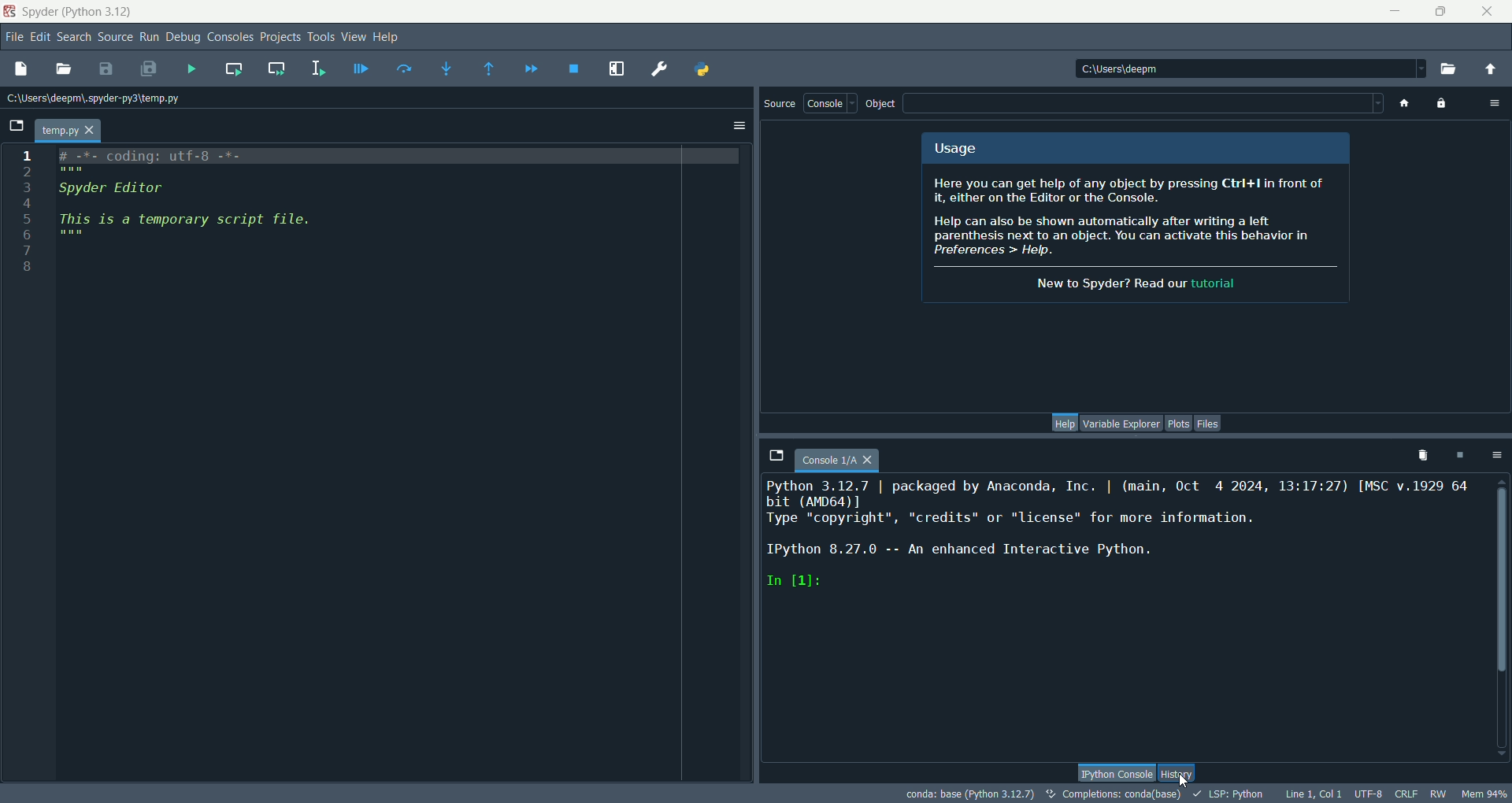 The image size is (1512, 803). I want to click on CRLF, so click(1406, 794).